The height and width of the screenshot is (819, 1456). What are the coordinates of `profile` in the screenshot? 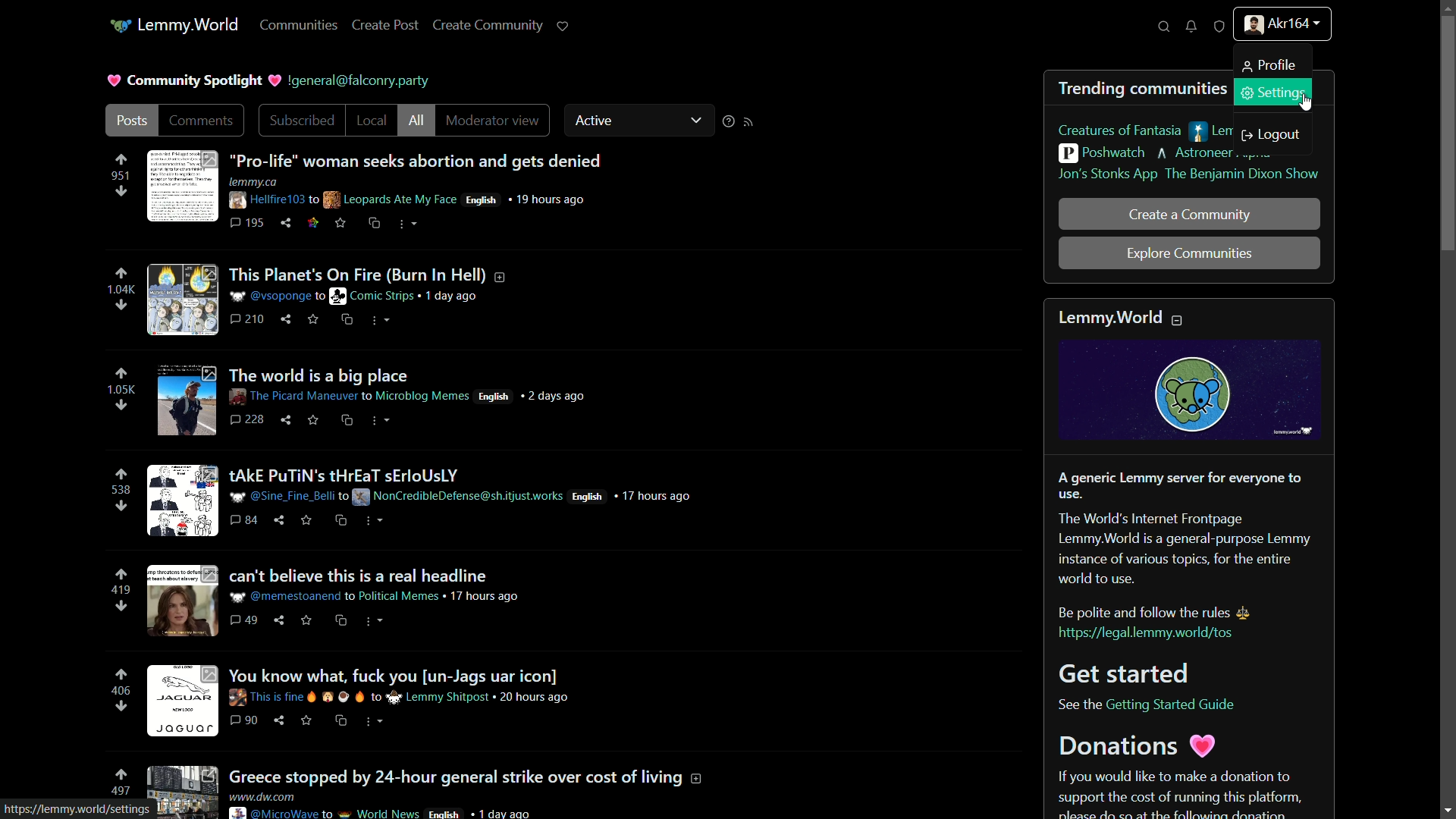 It's located at (1266, 65).